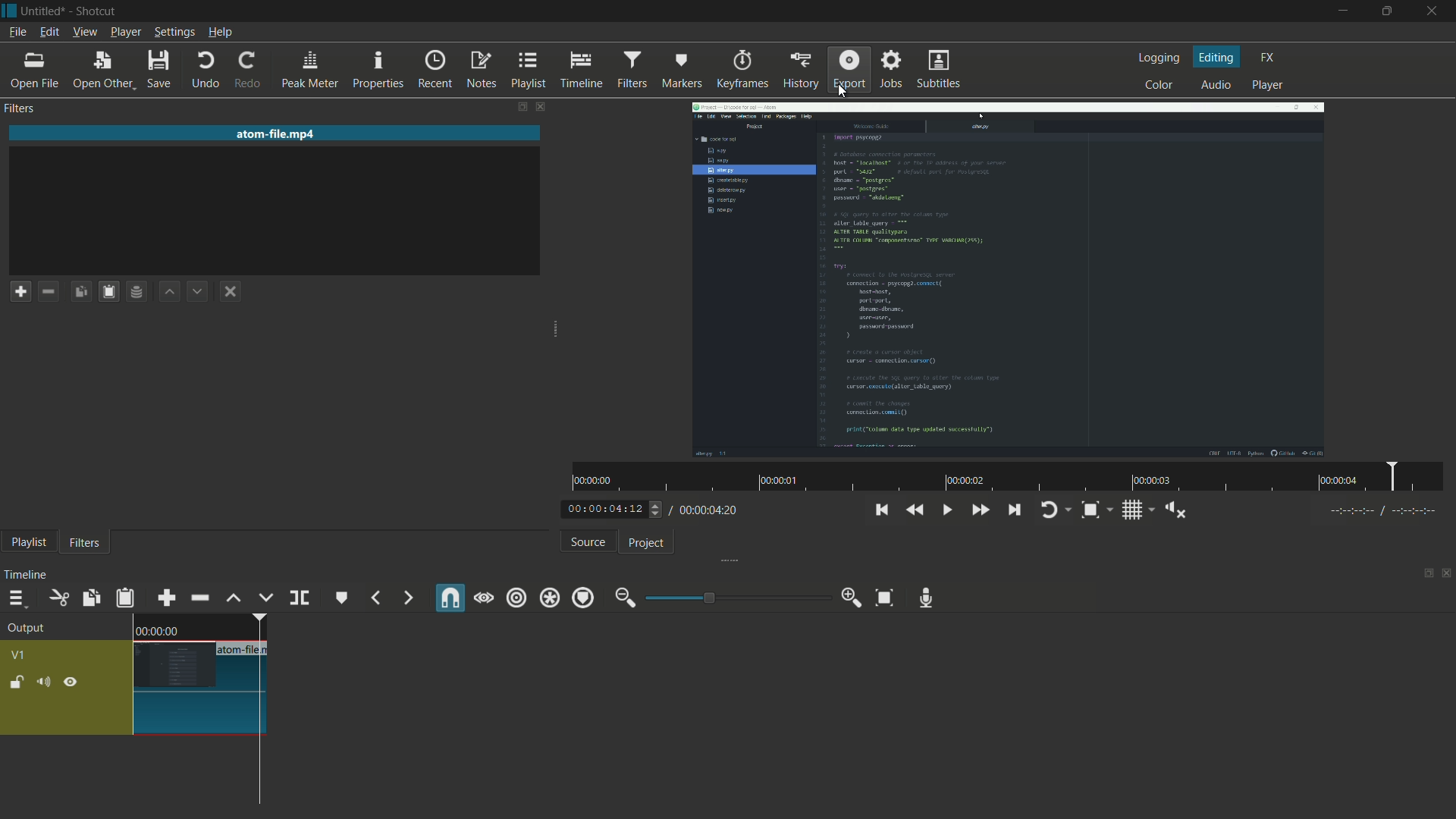  I want to click on output, so click(30, 629).